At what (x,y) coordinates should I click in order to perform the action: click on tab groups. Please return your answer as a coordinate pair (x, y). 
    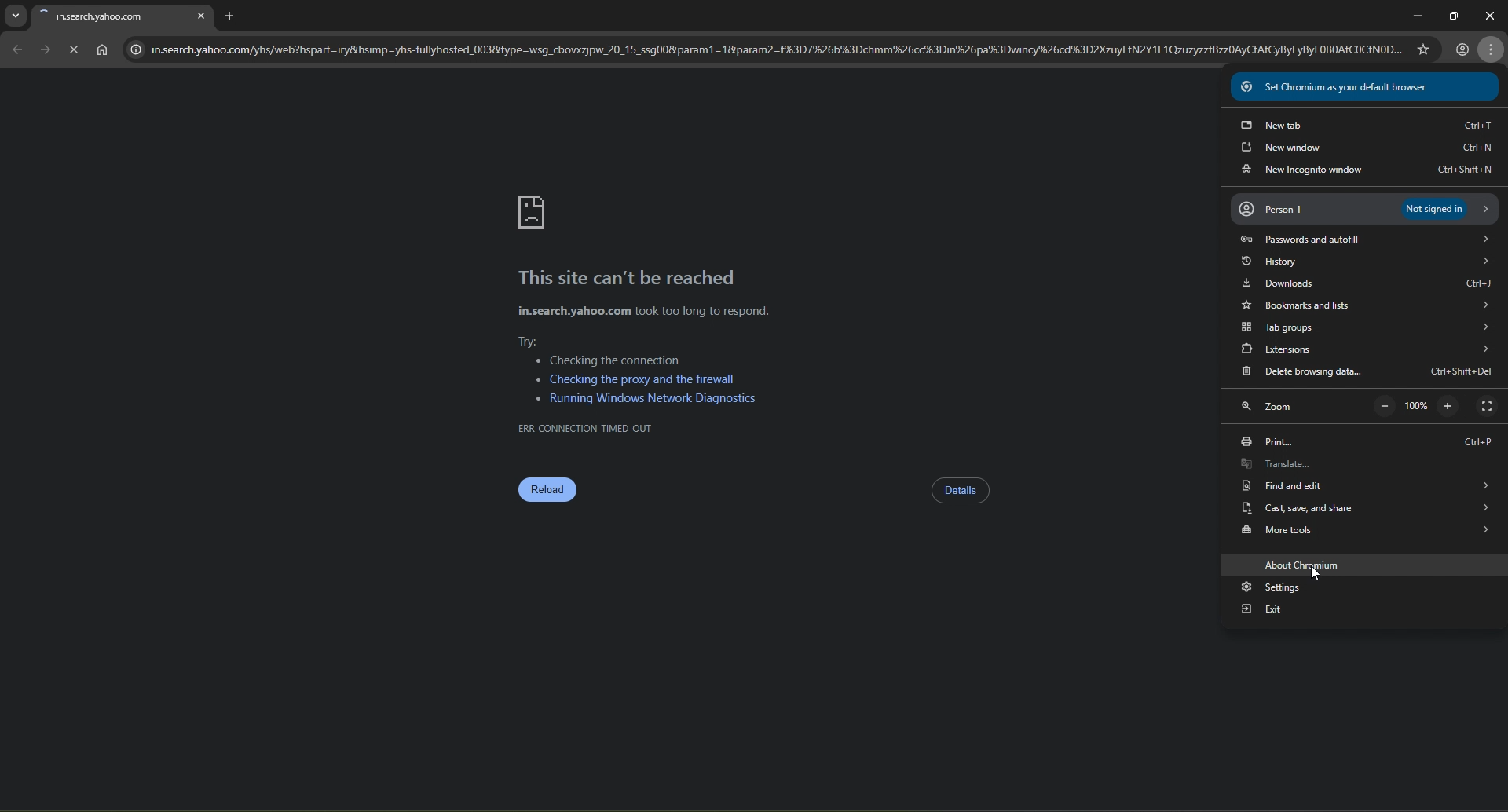
    Looking at the image, I should click on (1367, 327).